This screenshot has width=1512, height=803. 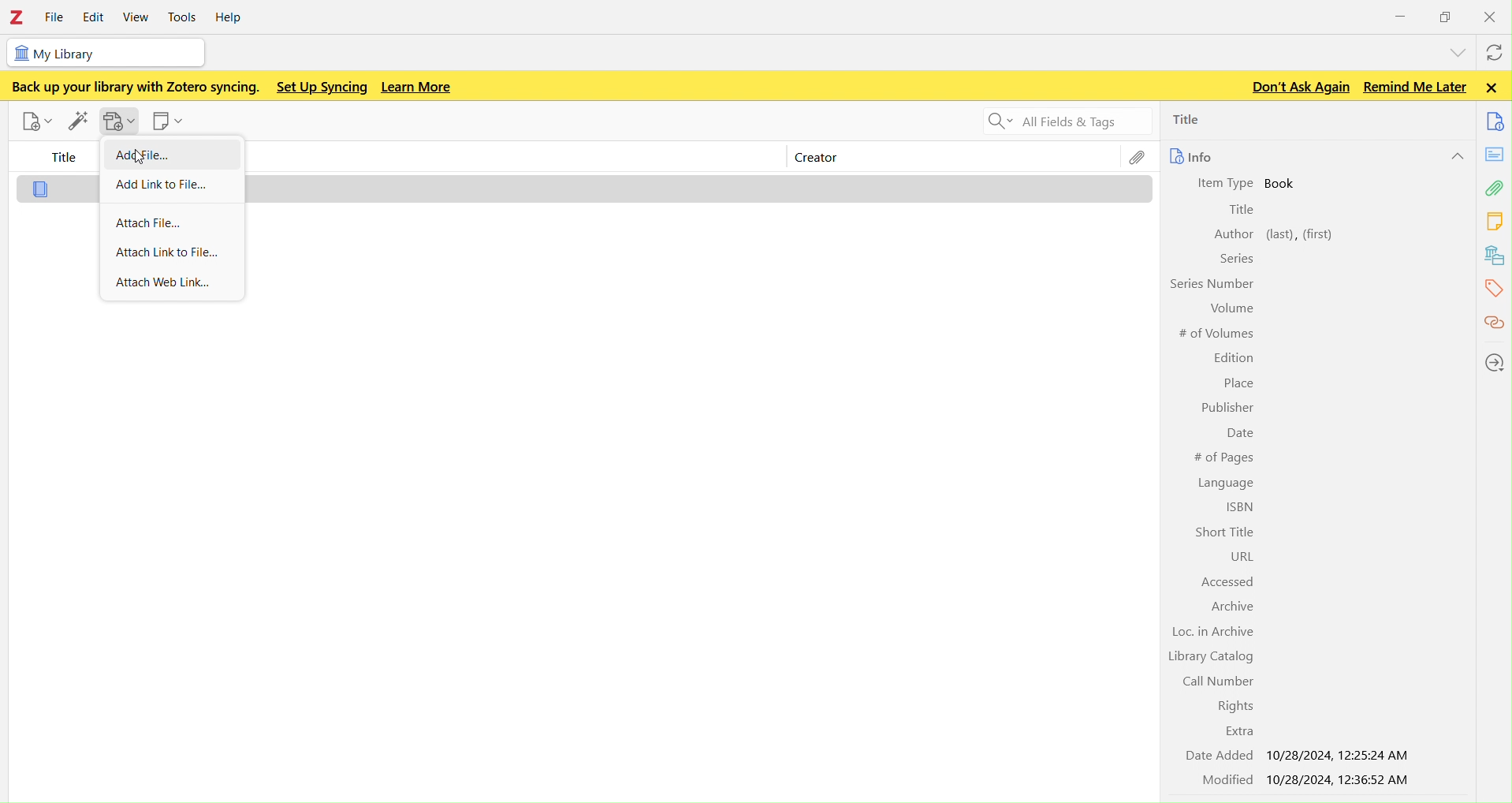 What do you see at coordinates (1455, 155) in the screenshot?
I see `hide` at bounding box center [1455, 155].